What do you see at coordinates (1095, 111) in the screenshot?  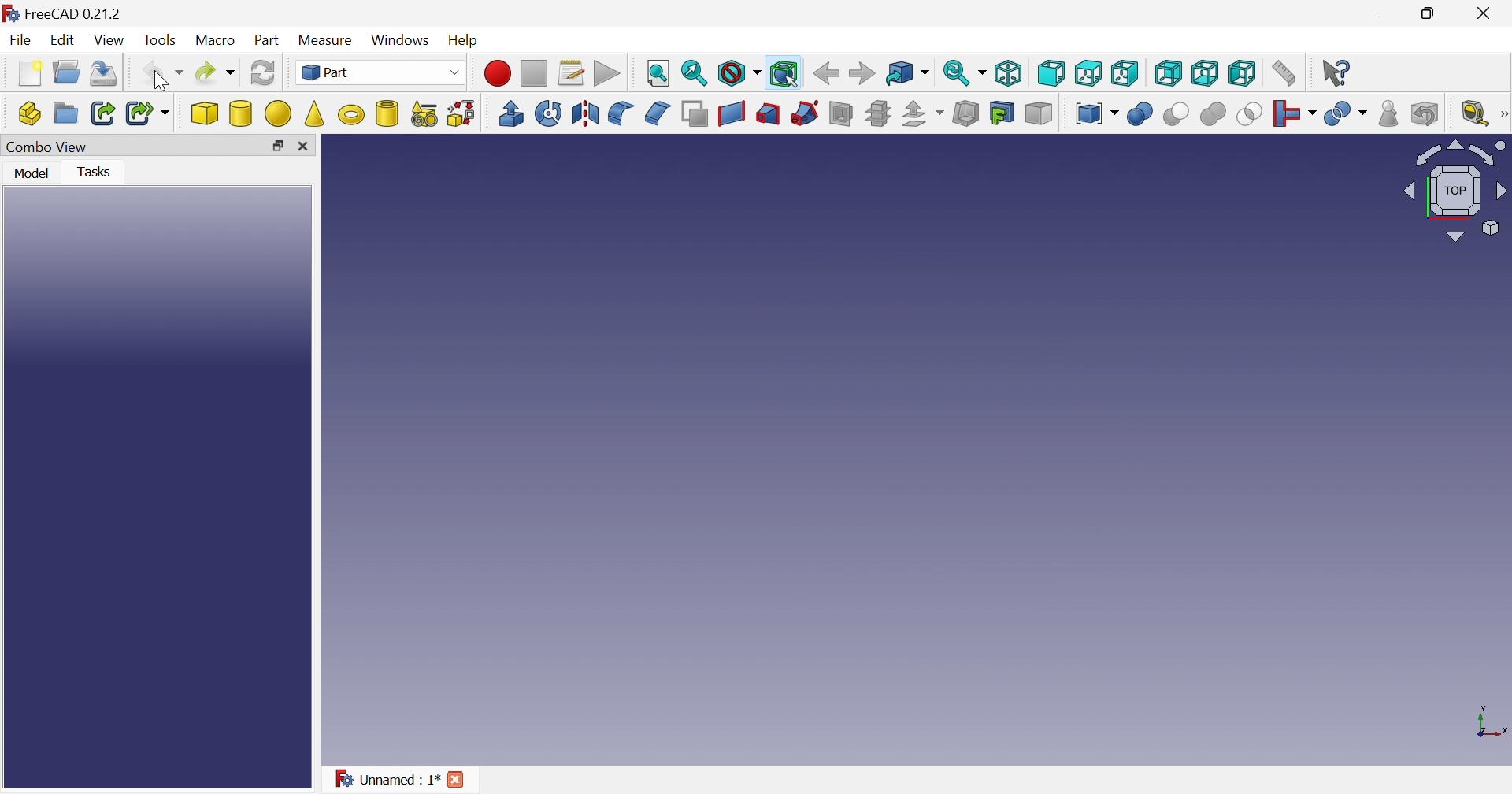 I see `Compound tools` at bounding box center [1095, 111].